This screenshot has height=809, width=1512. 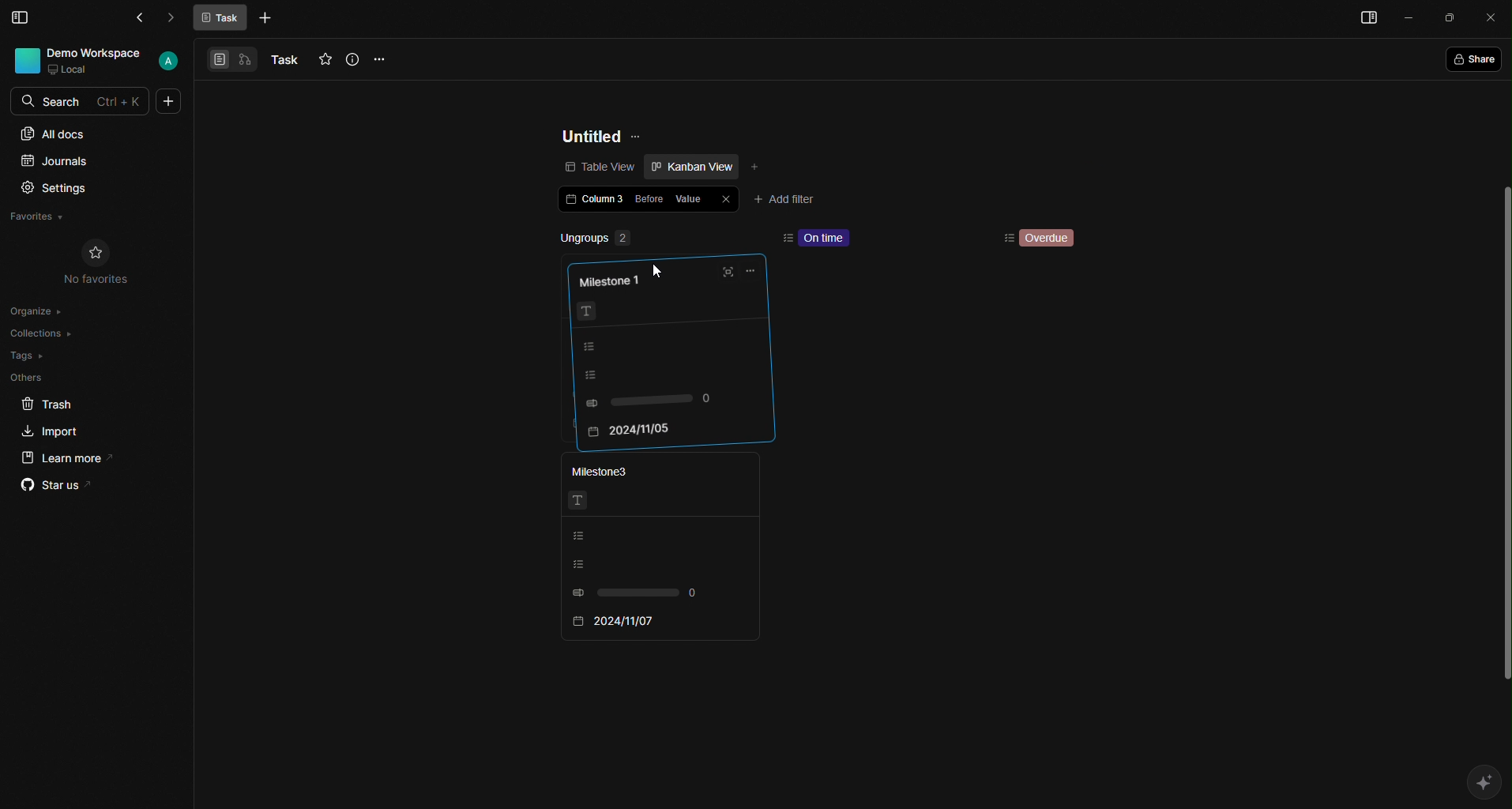 What do you see at coordinates (51, 487) in the screenshot?
I see `Star us` at bounding box center [51, 487].